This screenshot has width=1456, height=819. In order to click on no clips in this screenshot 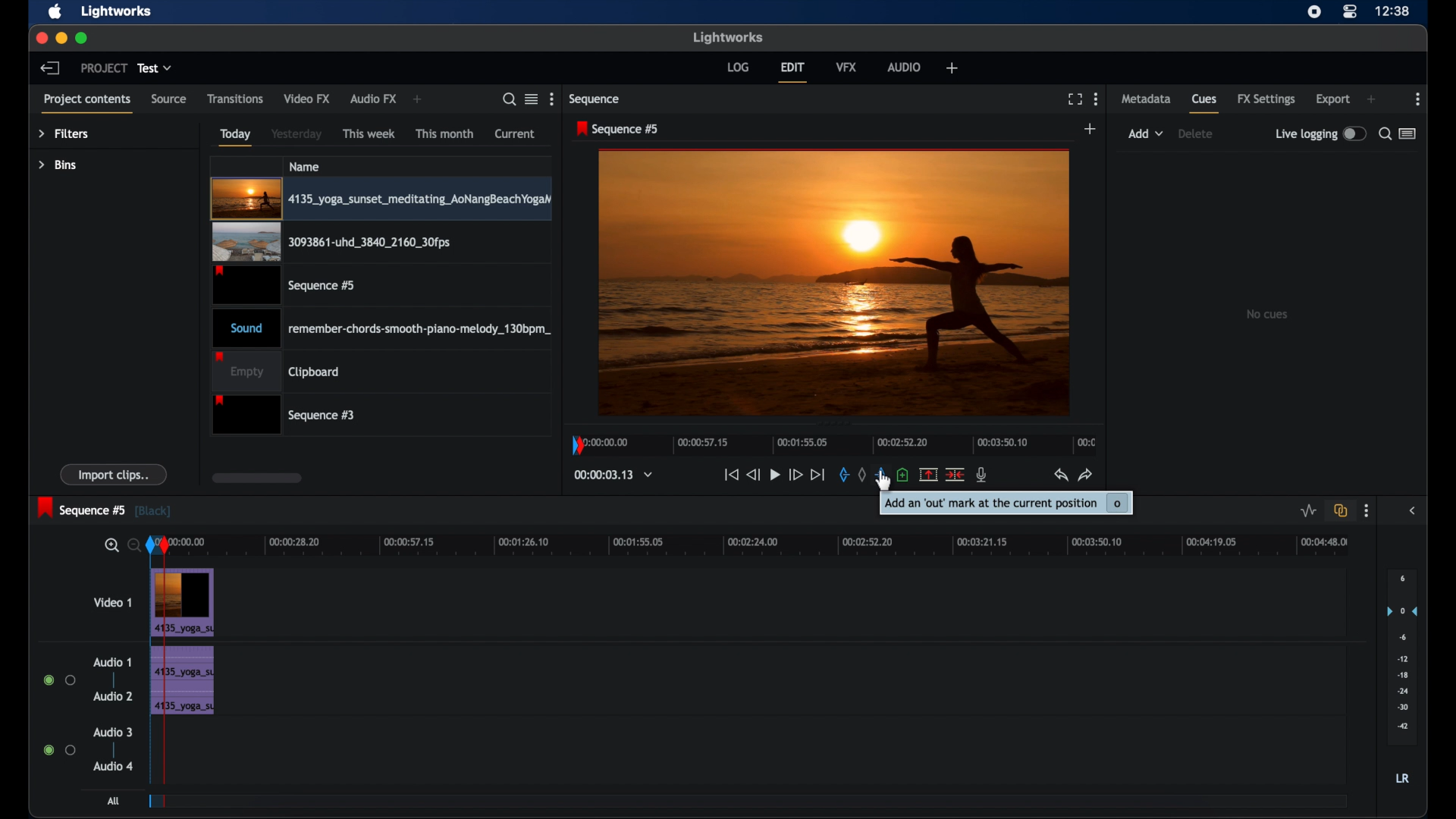, I will do `click(1268, 313)`.